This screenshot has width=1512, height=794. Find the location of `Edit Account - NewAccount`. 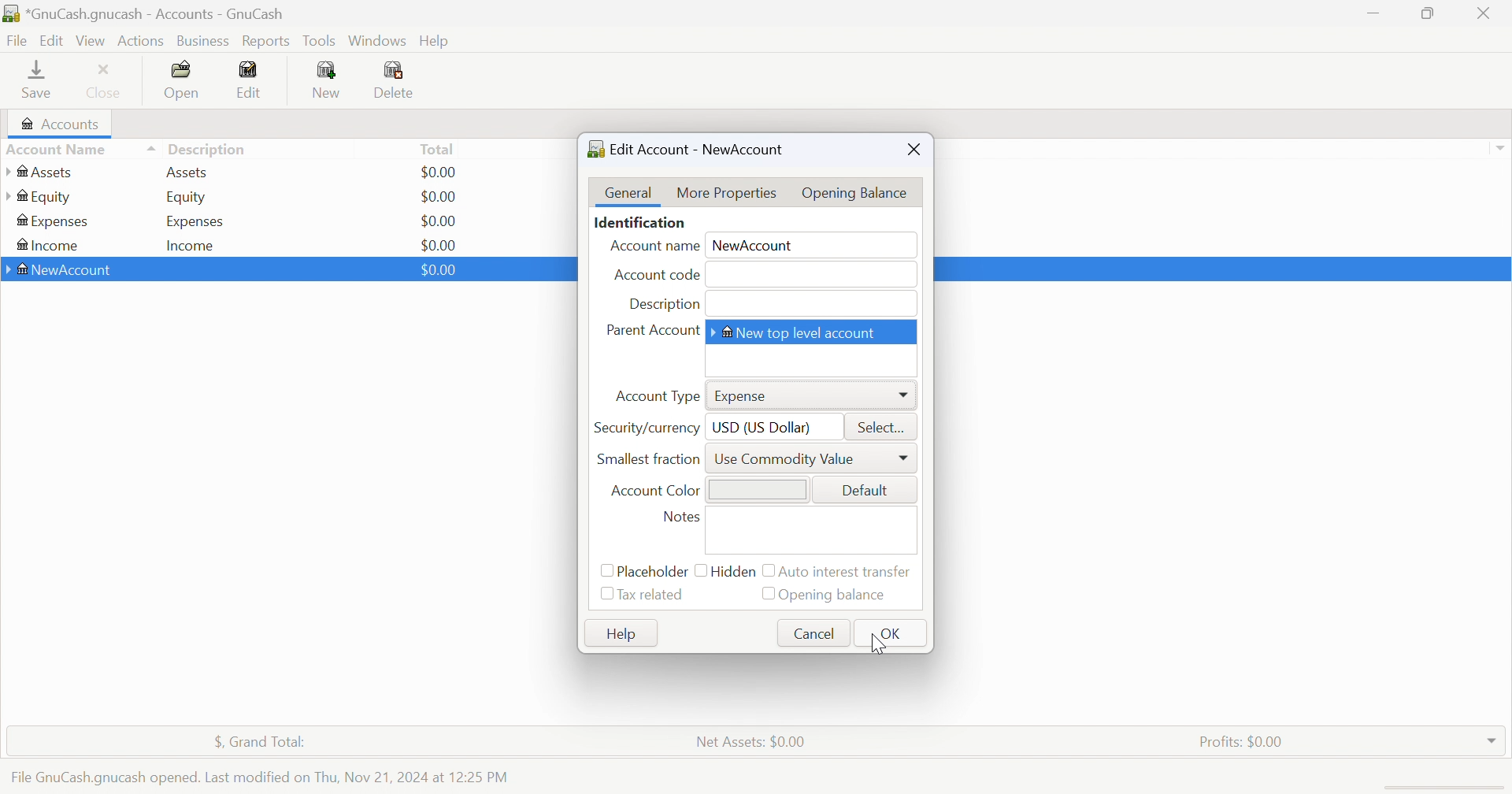

Edit Account - NewAccount is located at coordinates (687, 149).